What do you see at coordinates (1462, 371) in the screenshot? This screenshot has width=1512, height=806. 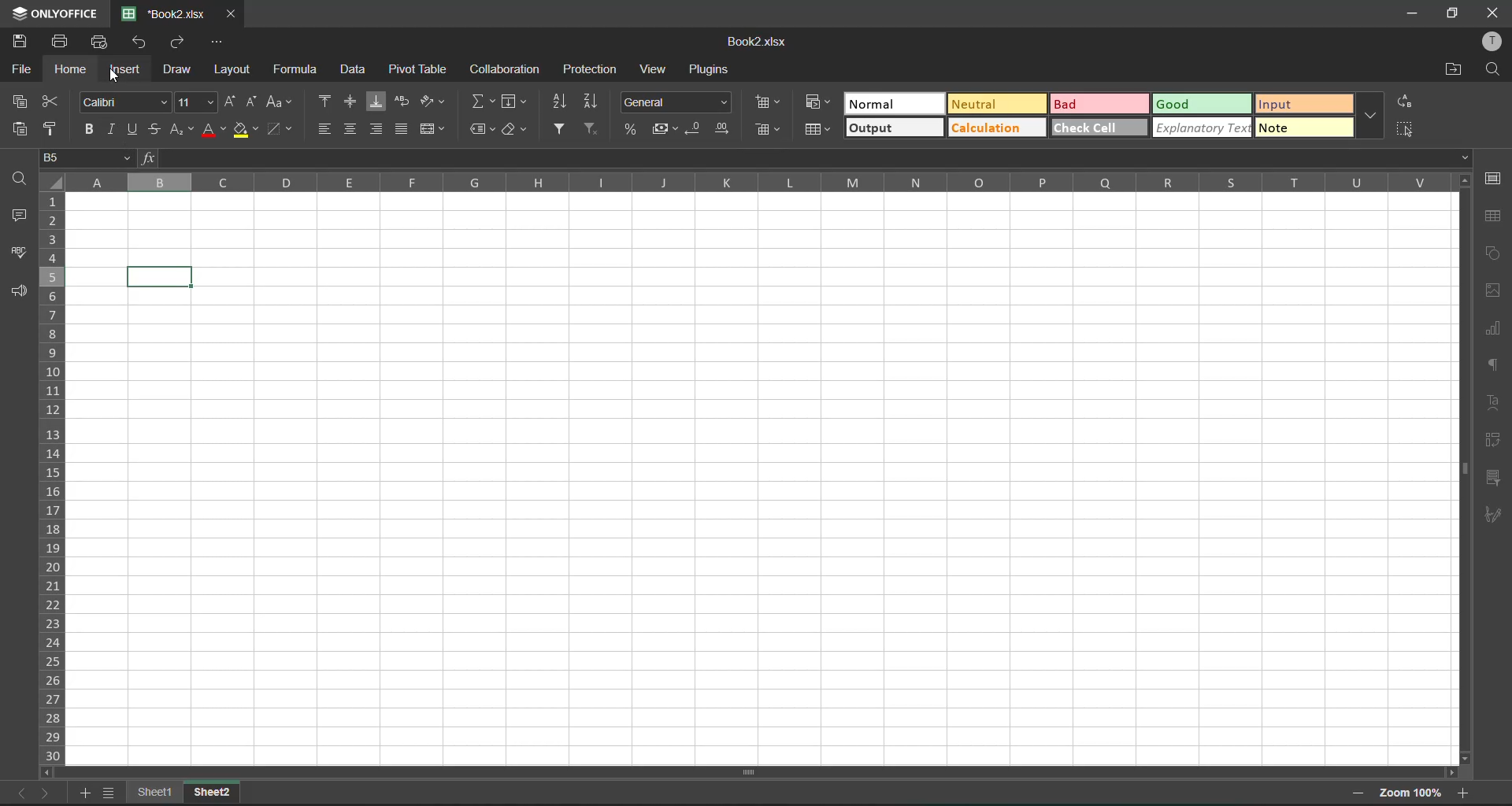 I see `vertical scroll bar` at bounding box center [1462, 371].